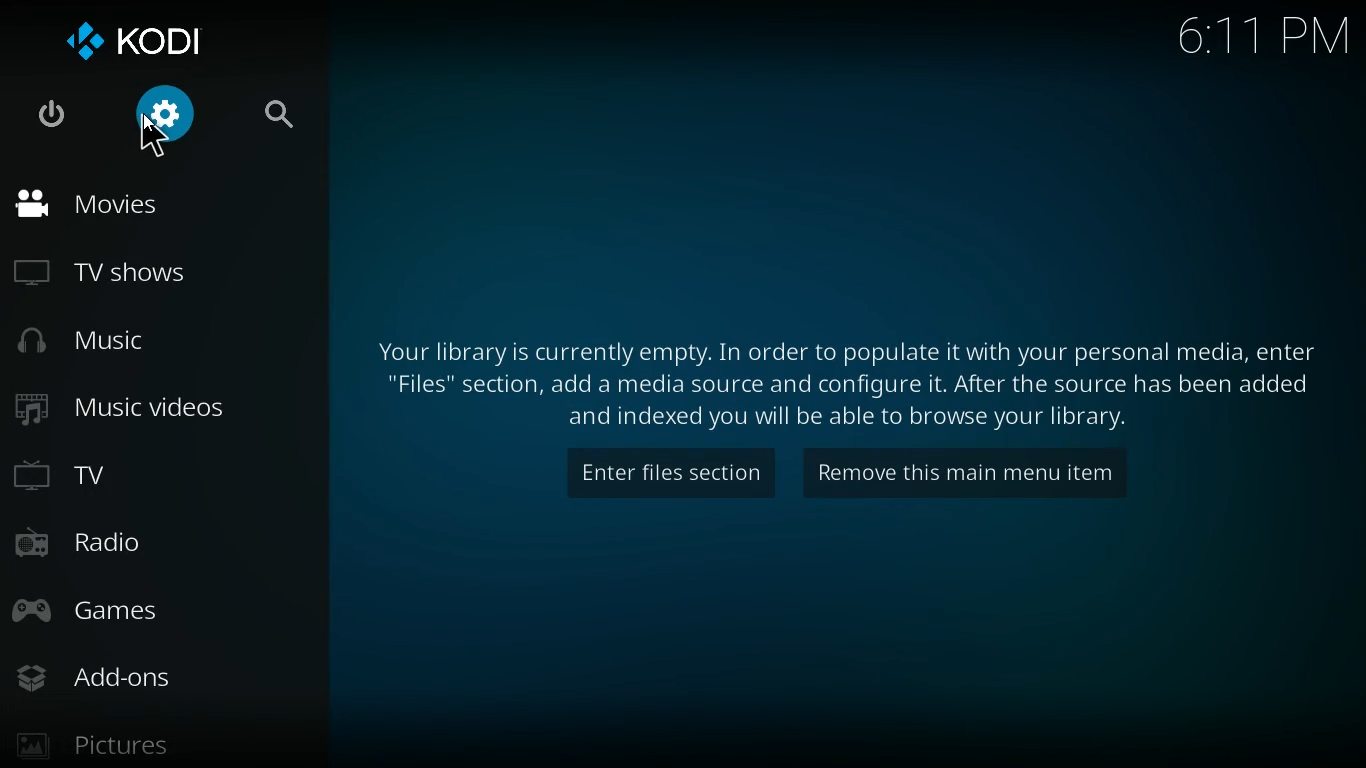  I want to click on time, so click(1262, 38).